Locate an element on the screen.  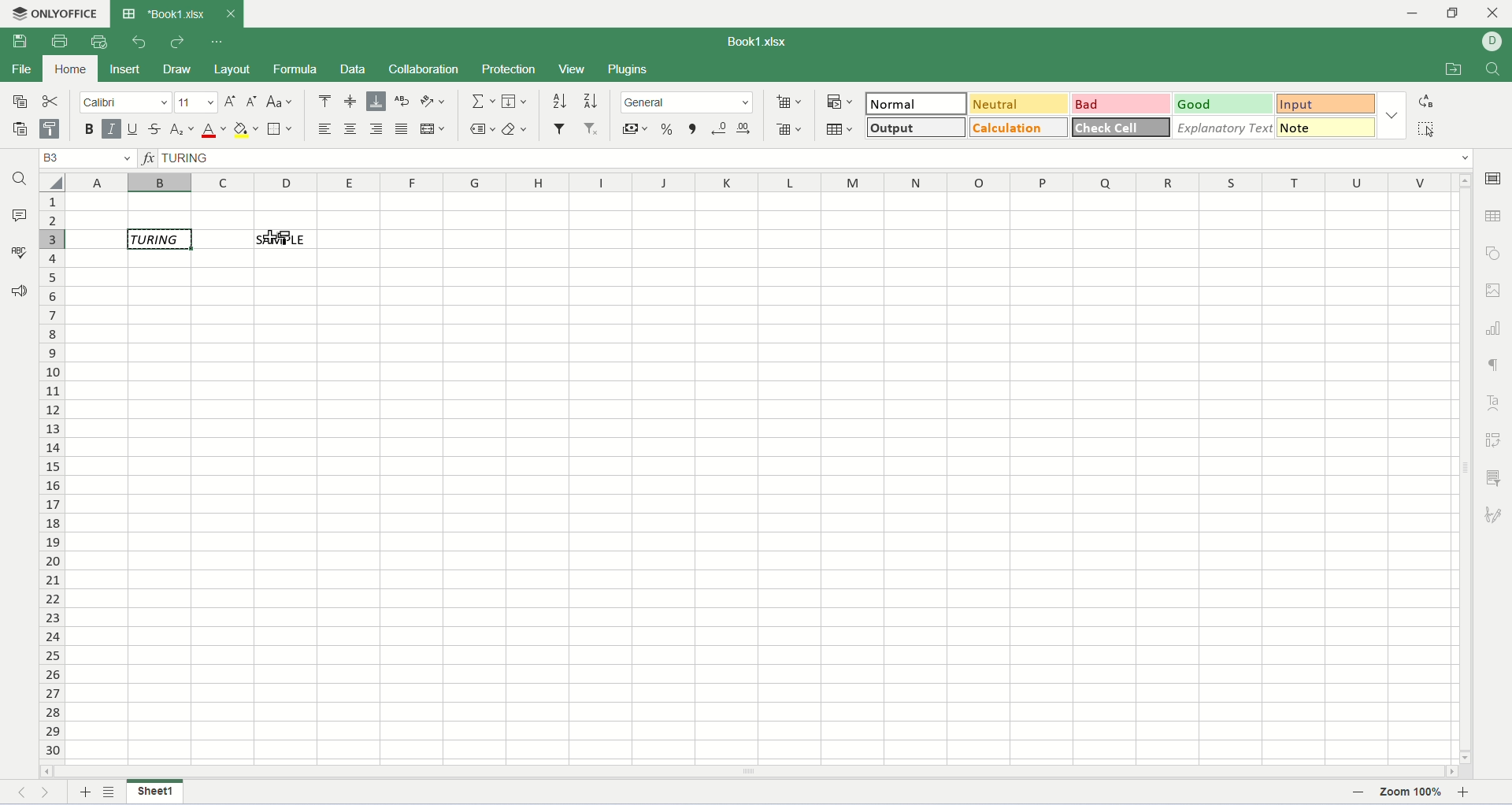
object settings is located at coordinates (1496, 253).